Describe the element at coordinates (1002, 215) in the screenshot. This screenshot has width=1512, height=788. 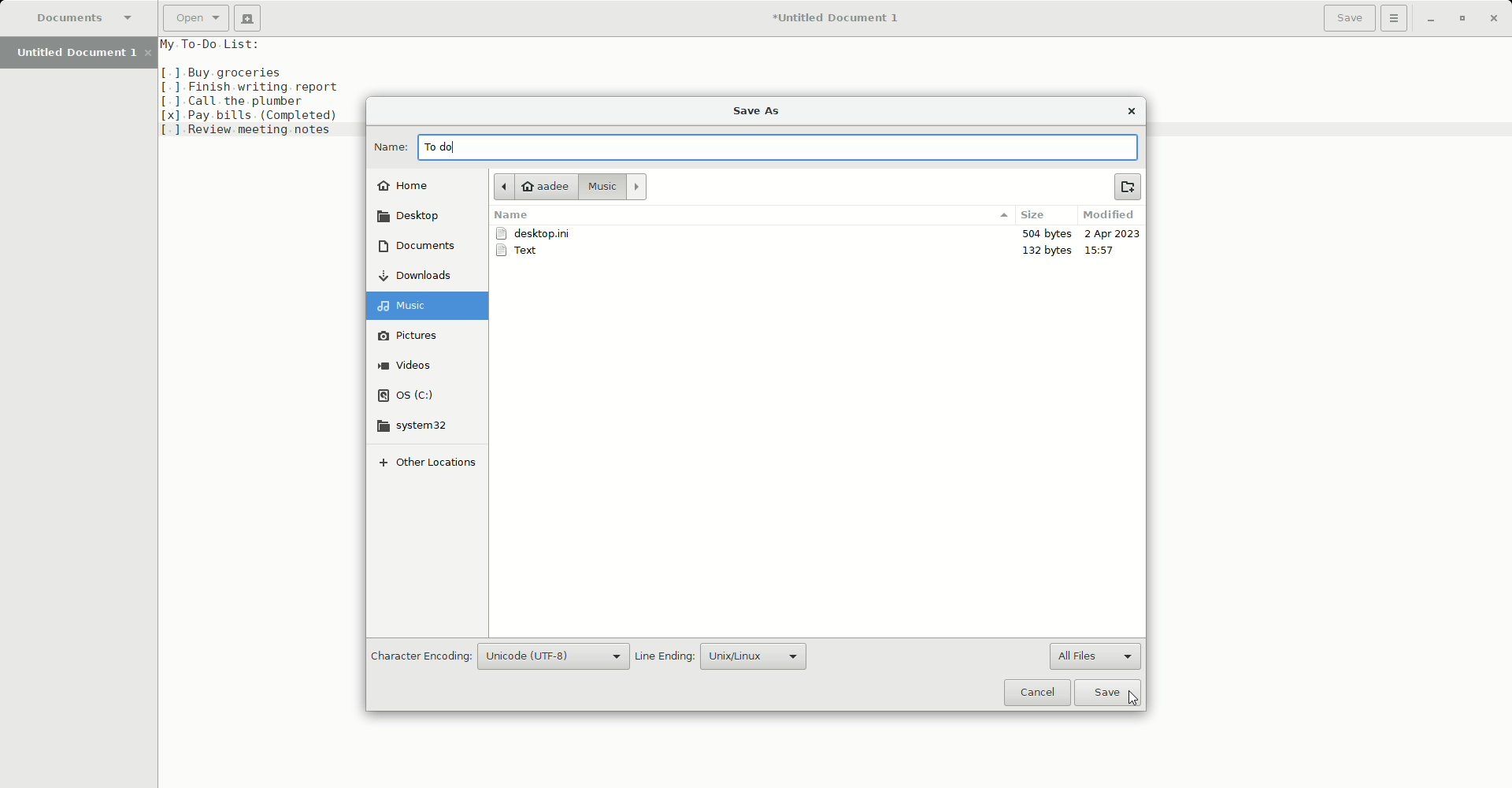
I see `Filter` at that location.